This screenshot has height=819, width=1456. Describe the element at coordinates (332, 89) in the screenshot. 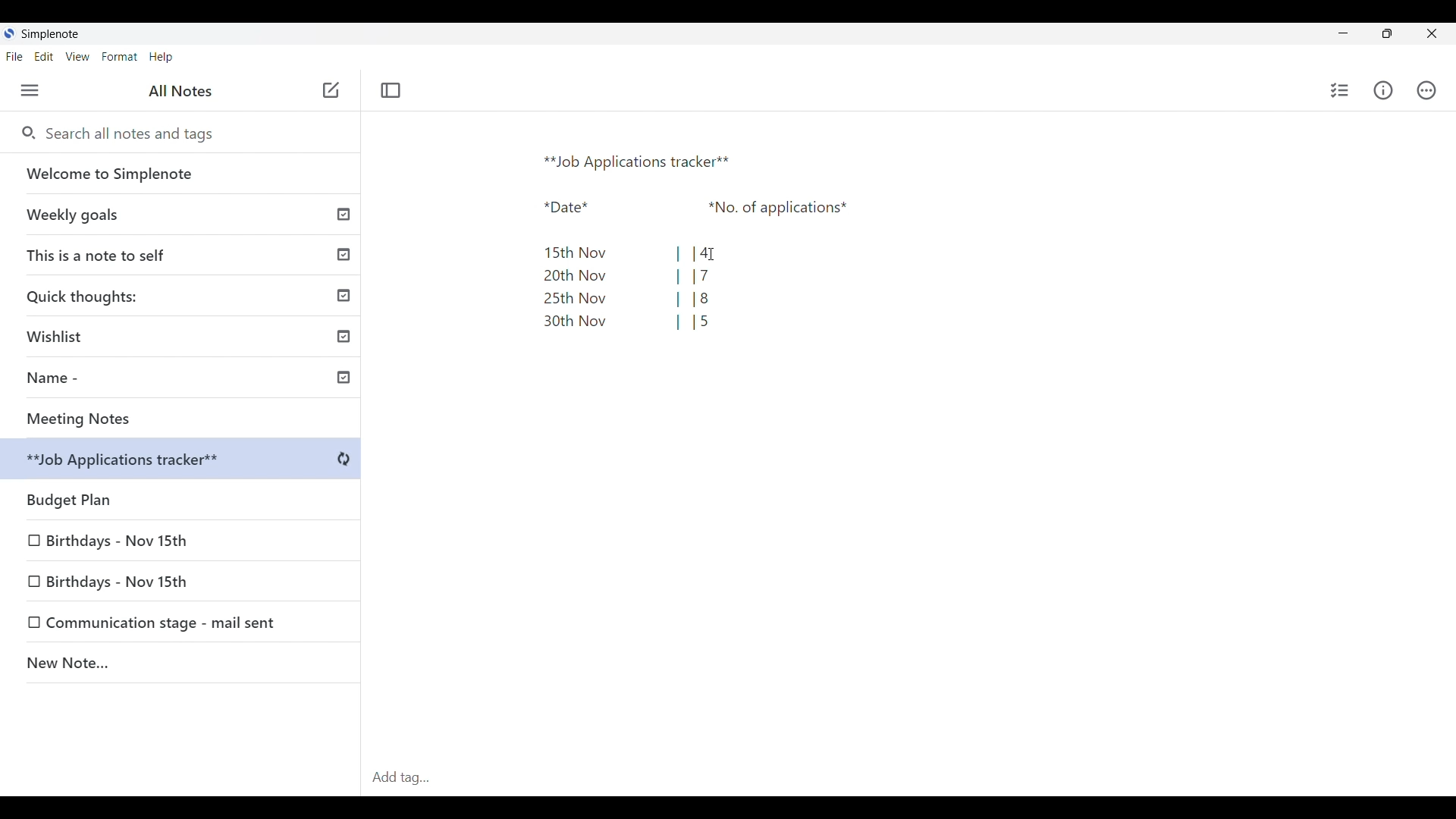

I see `Click to add note` at that location.